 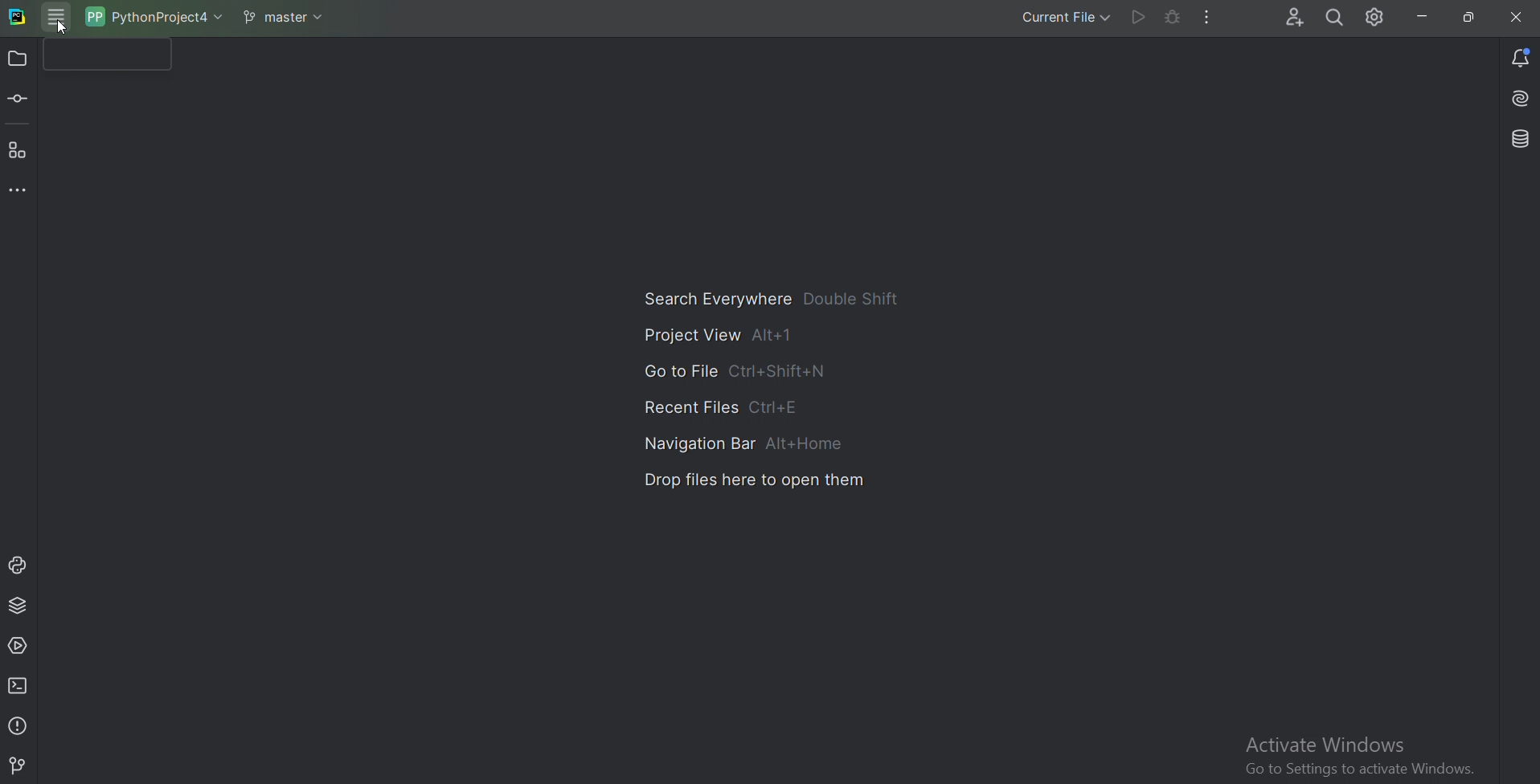 What do you see at coordinates (23, 99) in the screenshot?
I see `Commit` at bounding box center [23, 99].